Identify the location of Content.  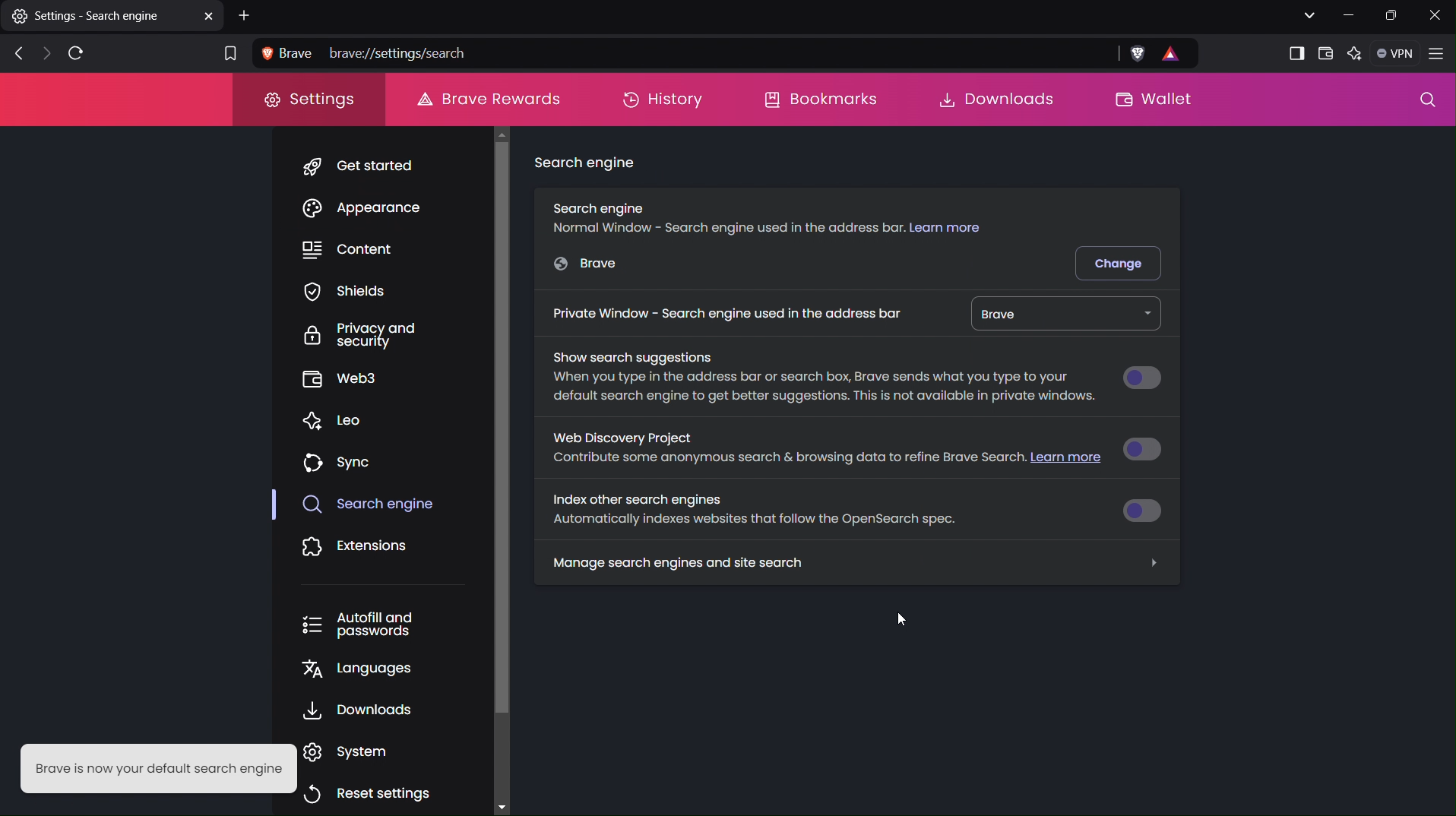
(354, 249).